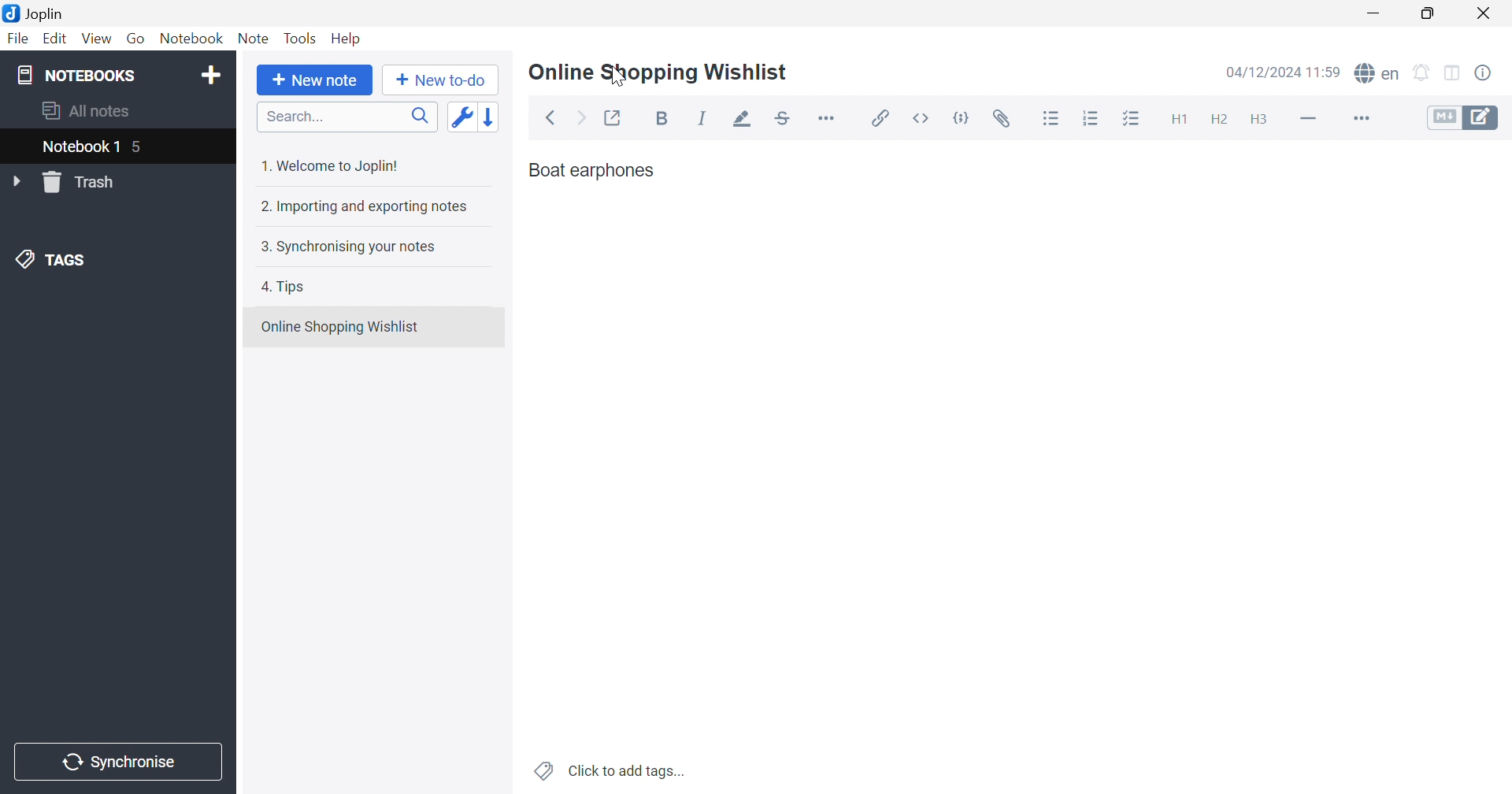  Describe the element at coordinates (441, 80) in the screenshot. I see `New to-do` at that location.